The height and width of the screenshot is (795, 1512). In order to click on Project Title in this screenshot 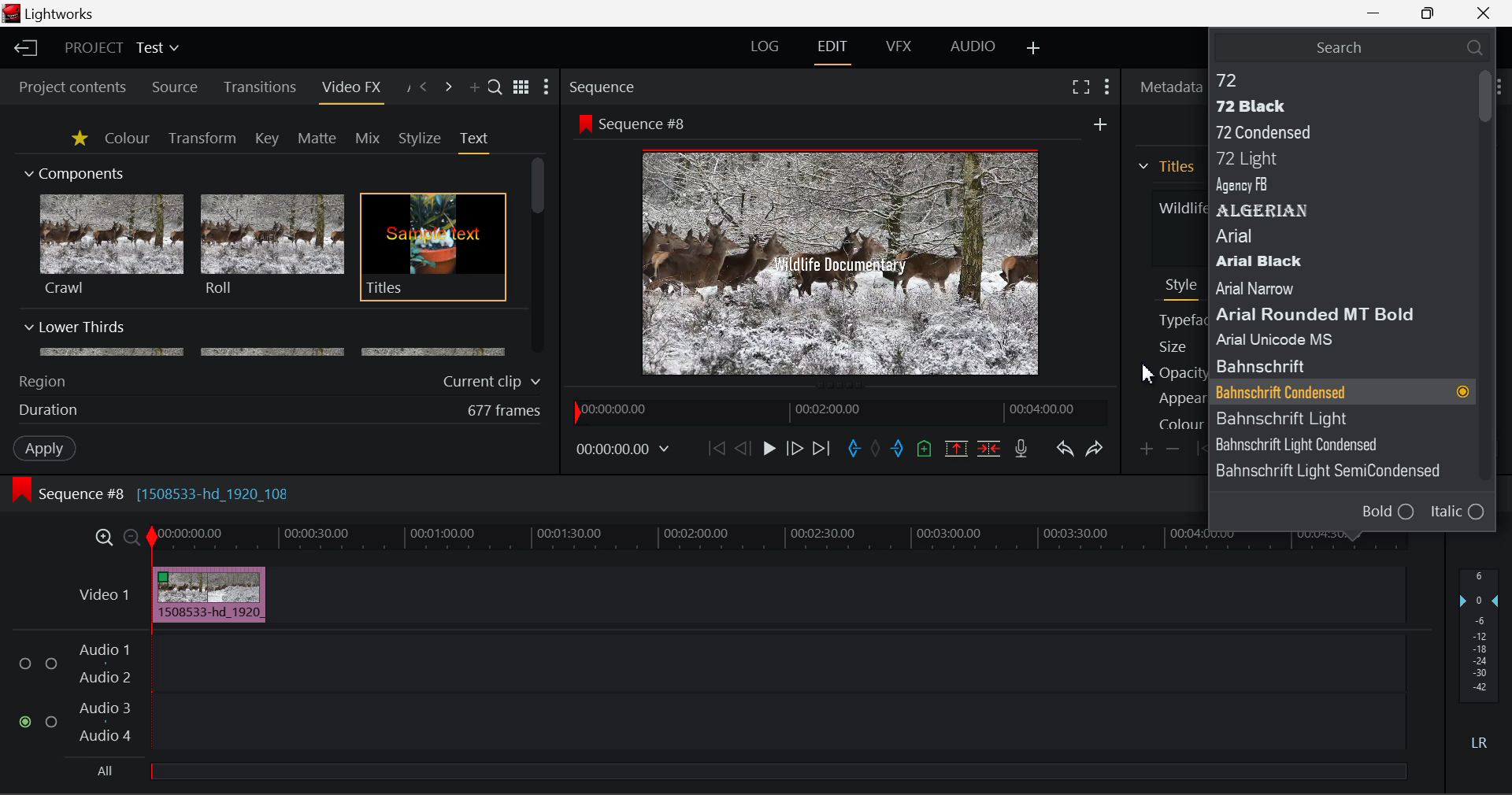, I will do `click(123, 46)`.